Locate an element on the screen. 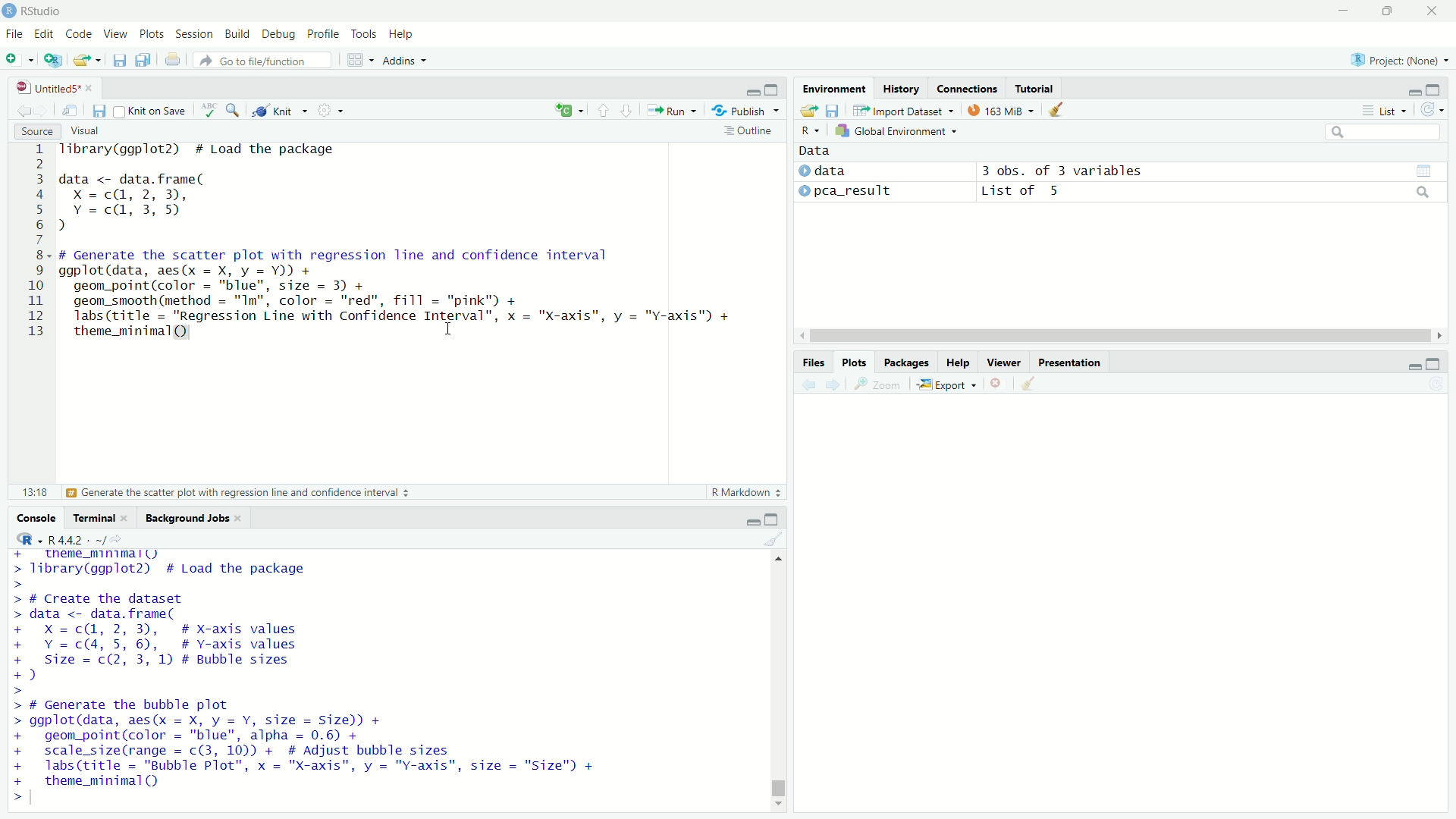 This screenshot has width=1456, height=819. Zoom is located at coordinates (880, 384).